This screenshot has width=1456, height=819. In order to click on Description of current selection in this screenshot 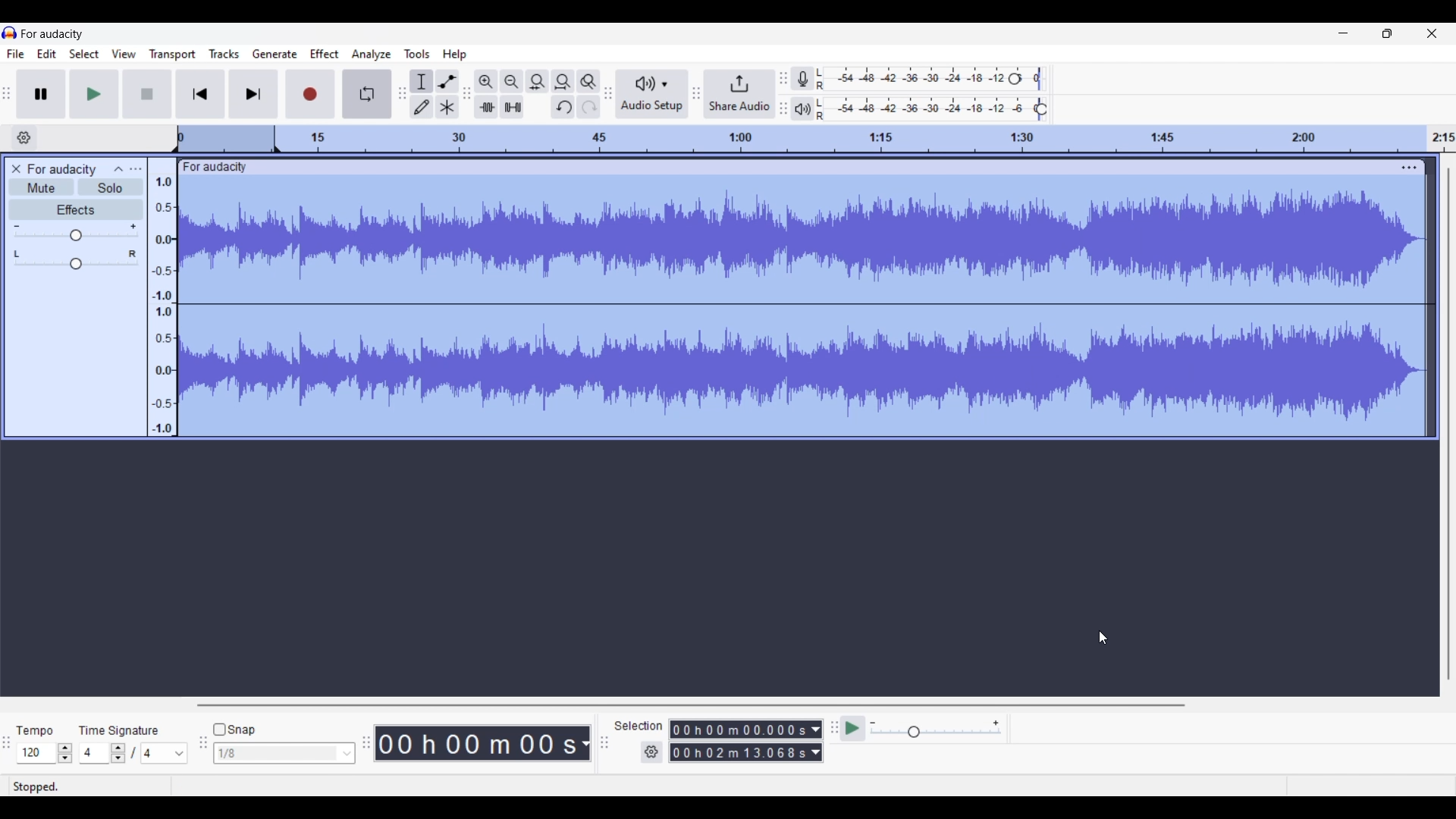, I will do `click(267, 786)`.